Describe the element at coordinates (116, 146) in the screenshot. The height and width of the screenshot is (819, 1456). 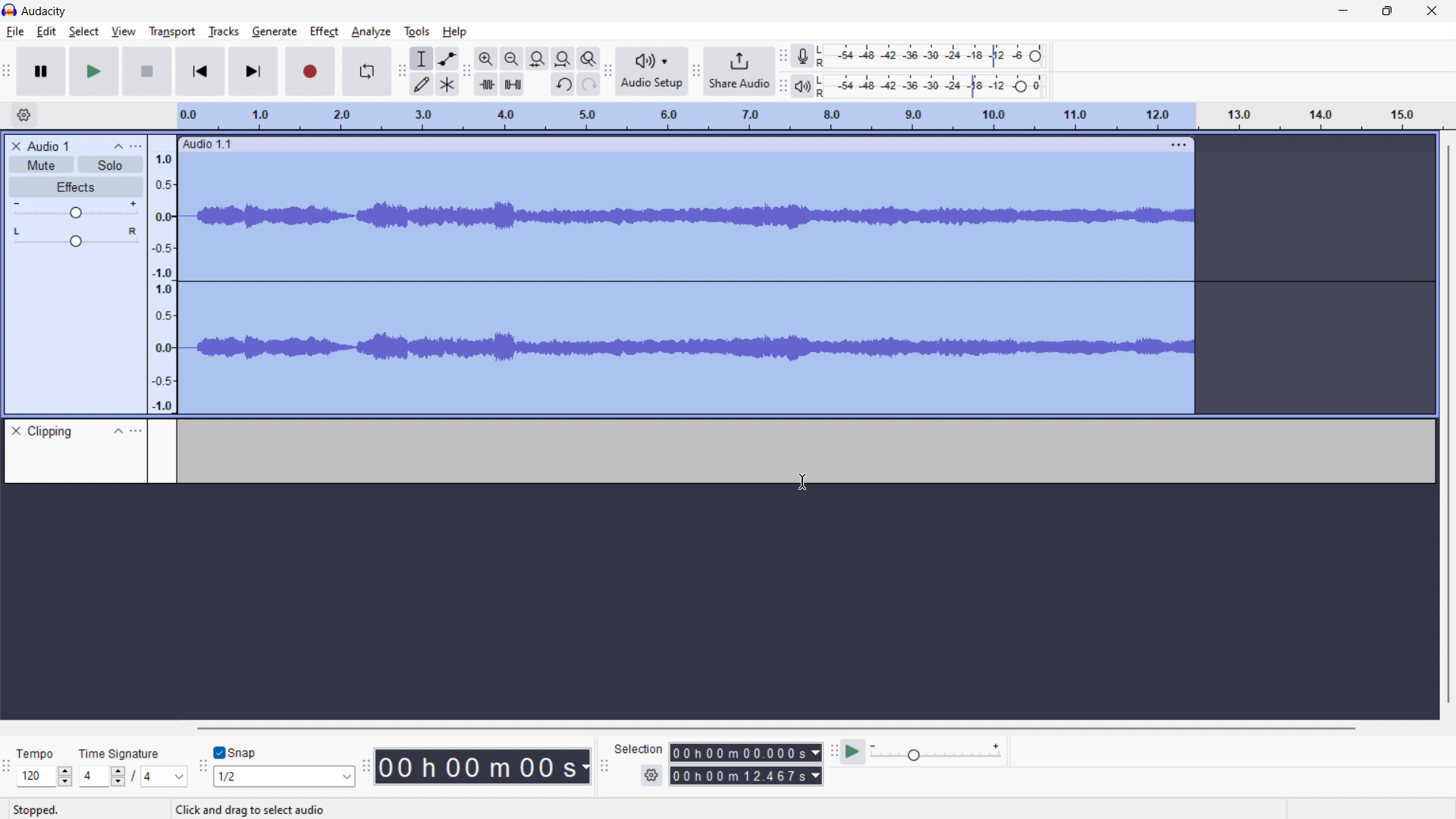
I see `collapse` at that location.